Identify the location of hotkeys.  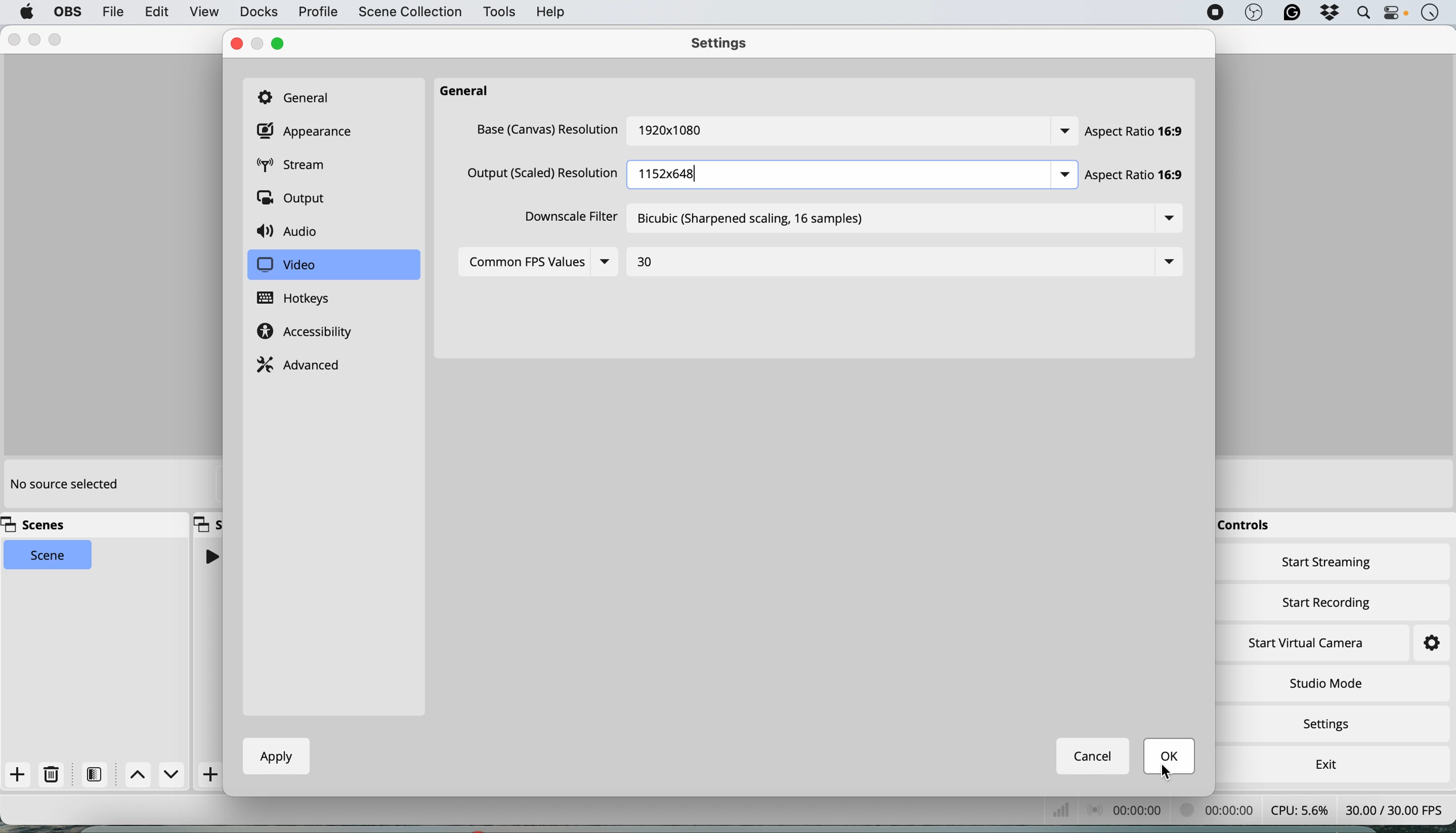
(303, 299).